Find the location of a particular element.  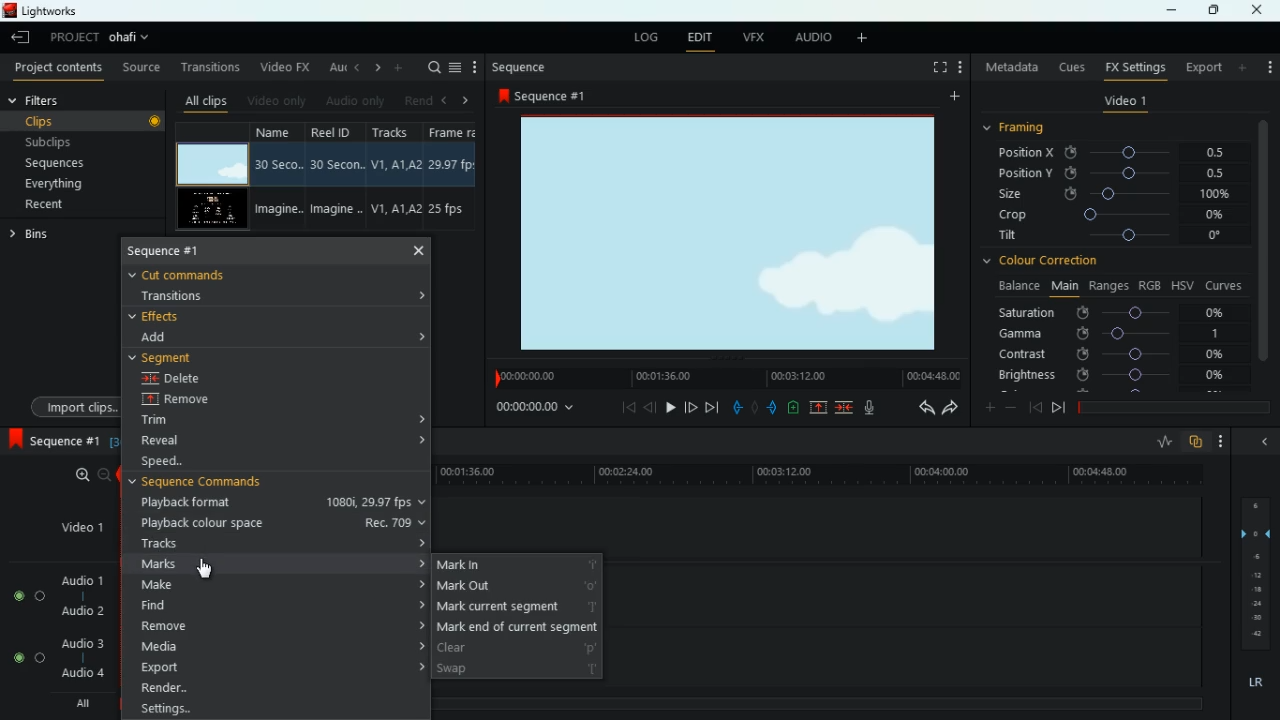

audio only is located at coordinates (352, 101).